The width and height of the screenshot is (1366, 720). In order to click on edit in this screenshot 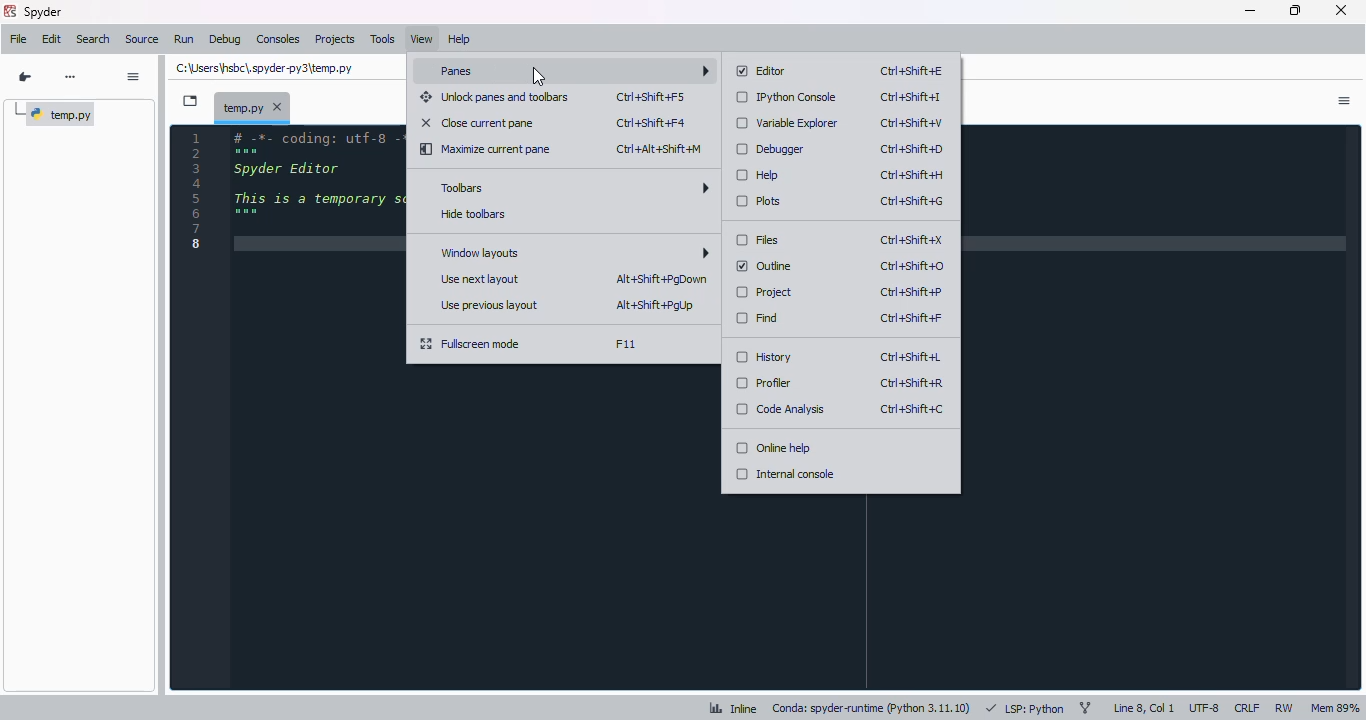, I will do `click(52, 39)`.